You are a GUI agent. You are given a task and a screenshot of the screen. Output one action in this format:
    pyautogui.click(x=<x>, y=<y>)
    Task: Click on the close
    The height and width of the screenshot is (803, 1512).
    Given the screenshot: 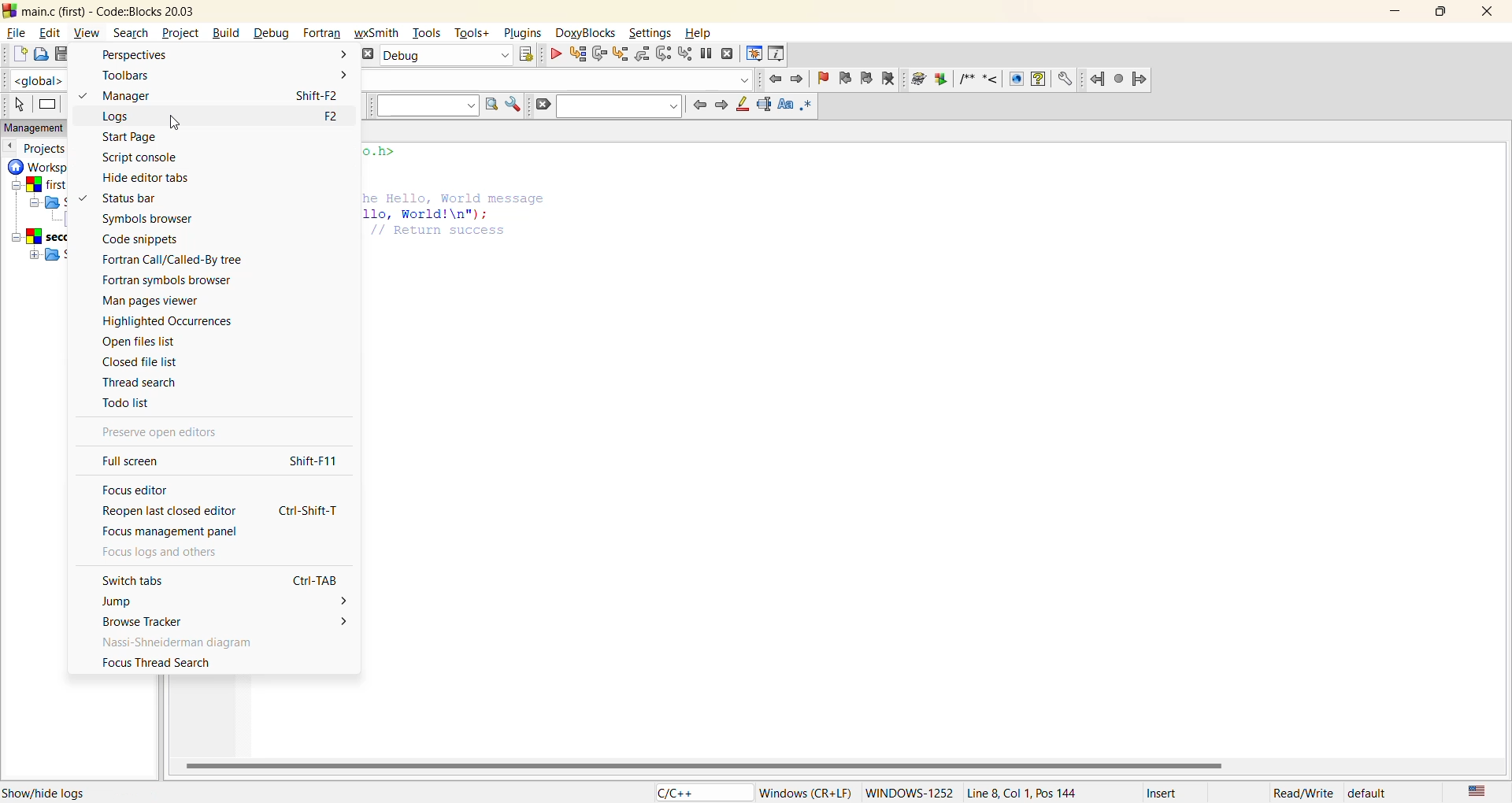 What is the action you would take?
    pyautogui.click(x=1490, y=13)
    